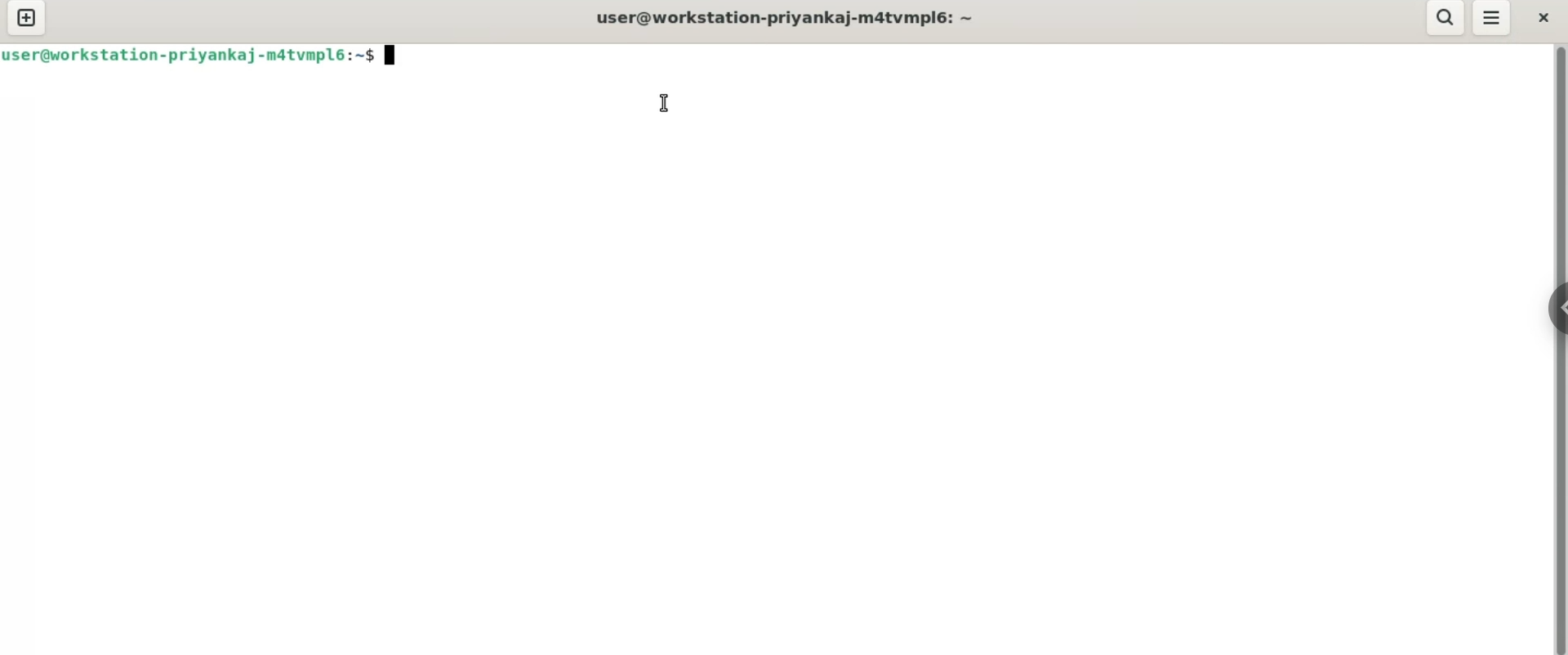 The image size is (1568, 655). Describe the element at coordinates (1543, 16) in the screenshot. I see `close` at that location.